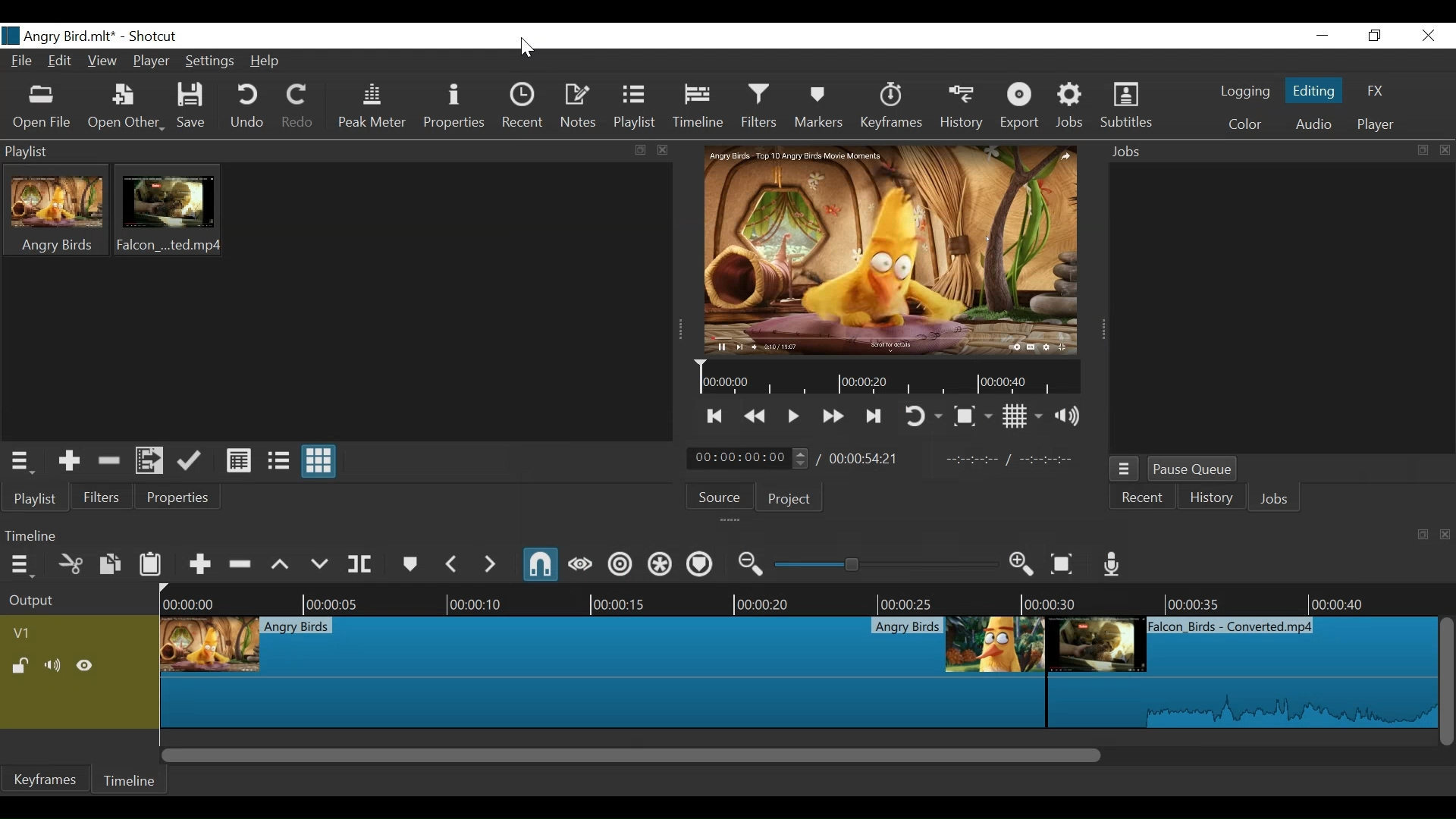 Image resolution: width=1456 pixels, height=819 pixels. What do you see at coordinates (630, 755) in the screenshot?
I see `Horizontal Scroll bar` at bounding box center [630, 755].